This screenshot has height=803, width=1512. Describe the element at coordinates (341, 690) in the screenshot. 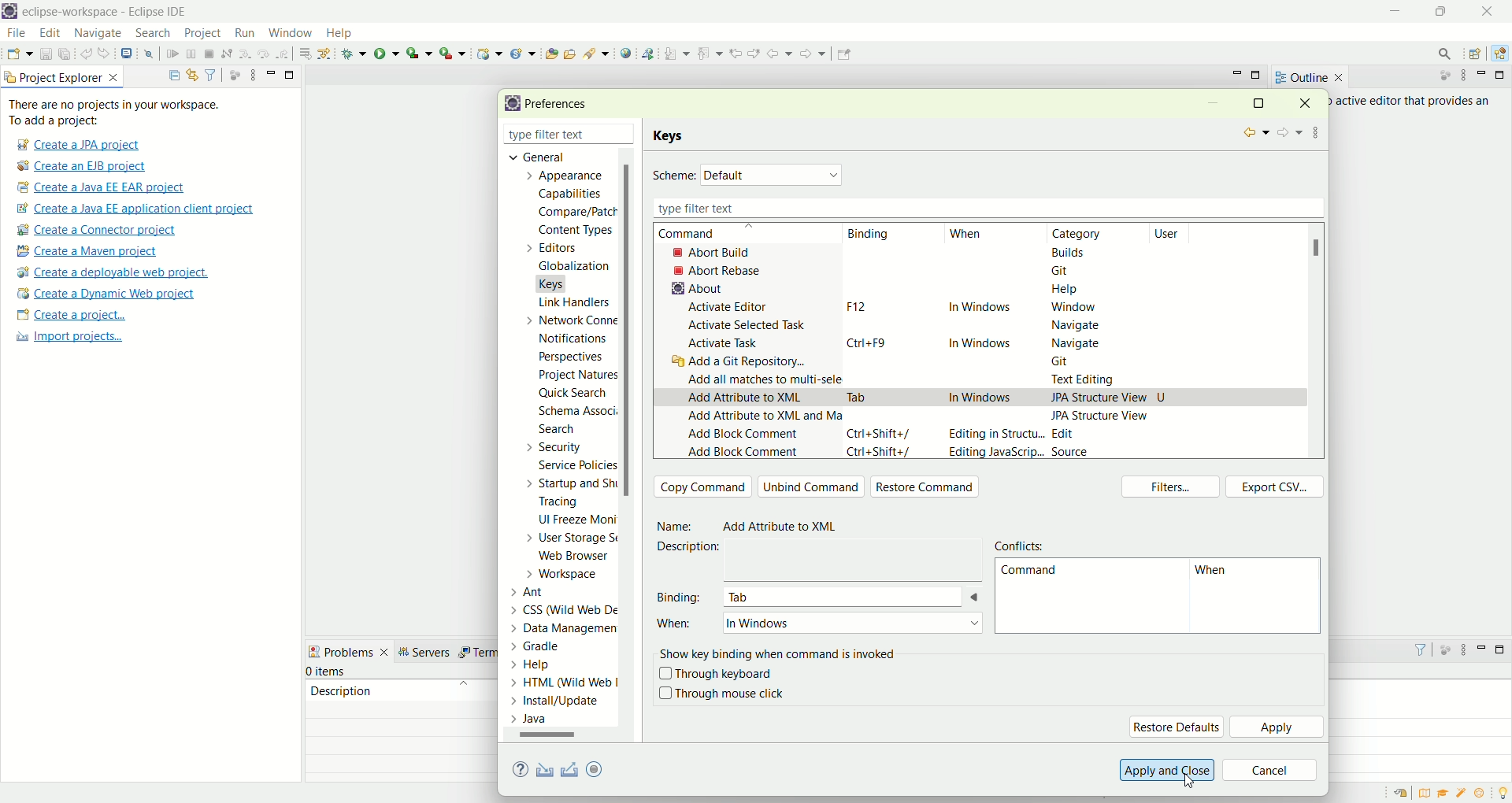

I see `description` at that location.